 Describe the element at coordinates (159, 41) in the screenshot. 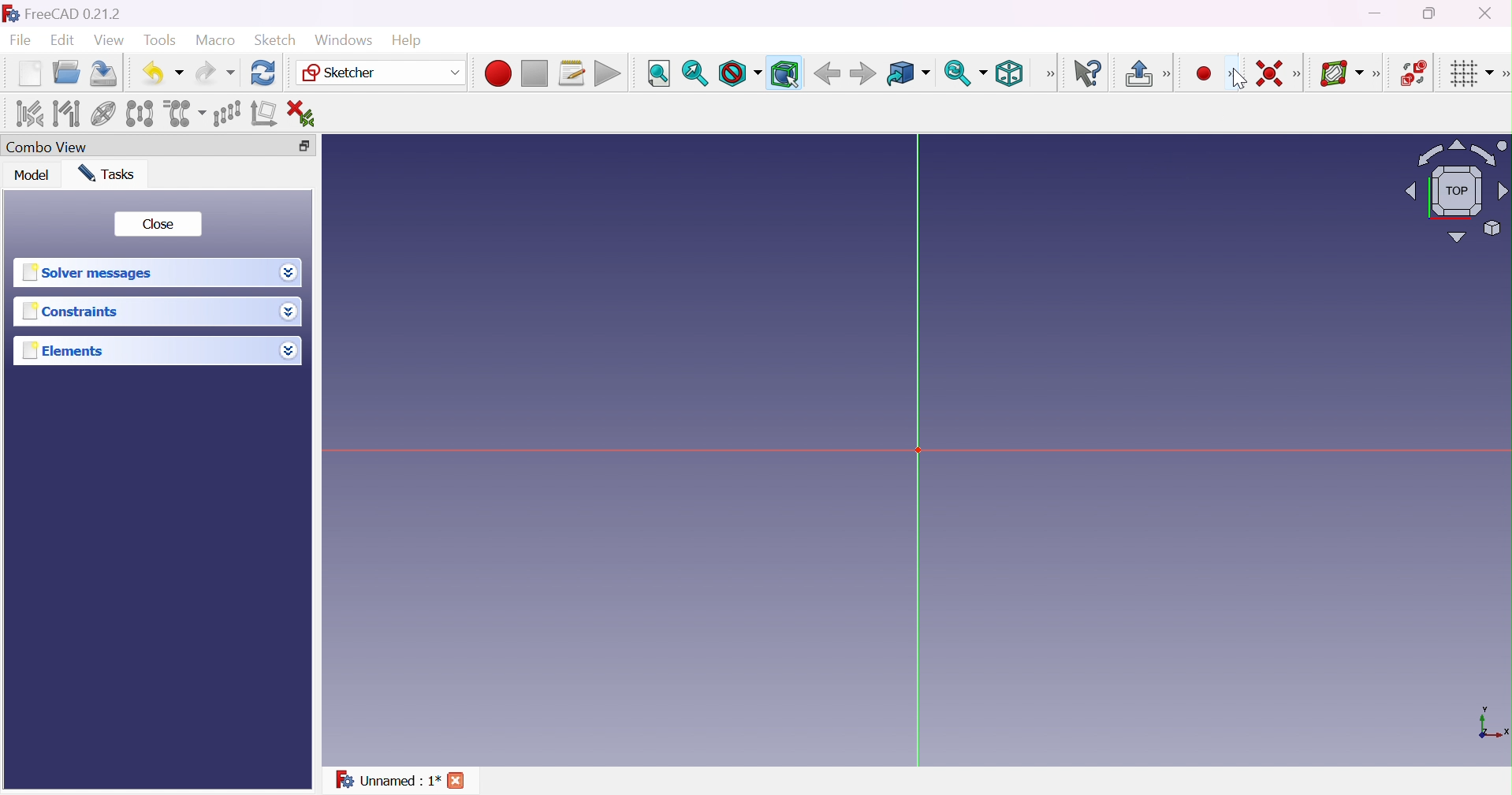

I see `Tools` at that location.